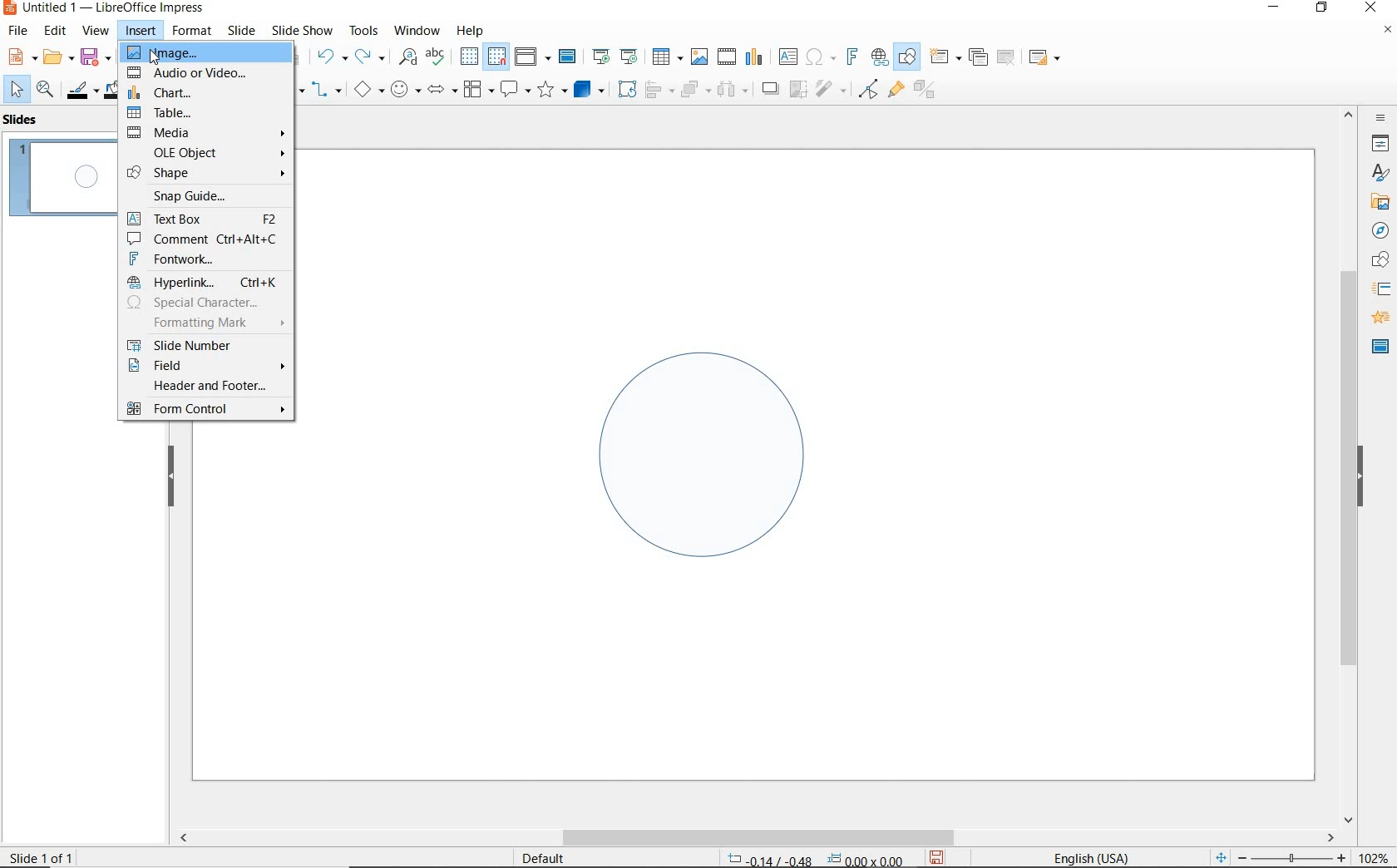 The height and width of the screenshot is (868, 1397). What do you see at coordinates (615, 55) in the screenshot?
I see `start from first/current slide` at bounding box center [615, 55].